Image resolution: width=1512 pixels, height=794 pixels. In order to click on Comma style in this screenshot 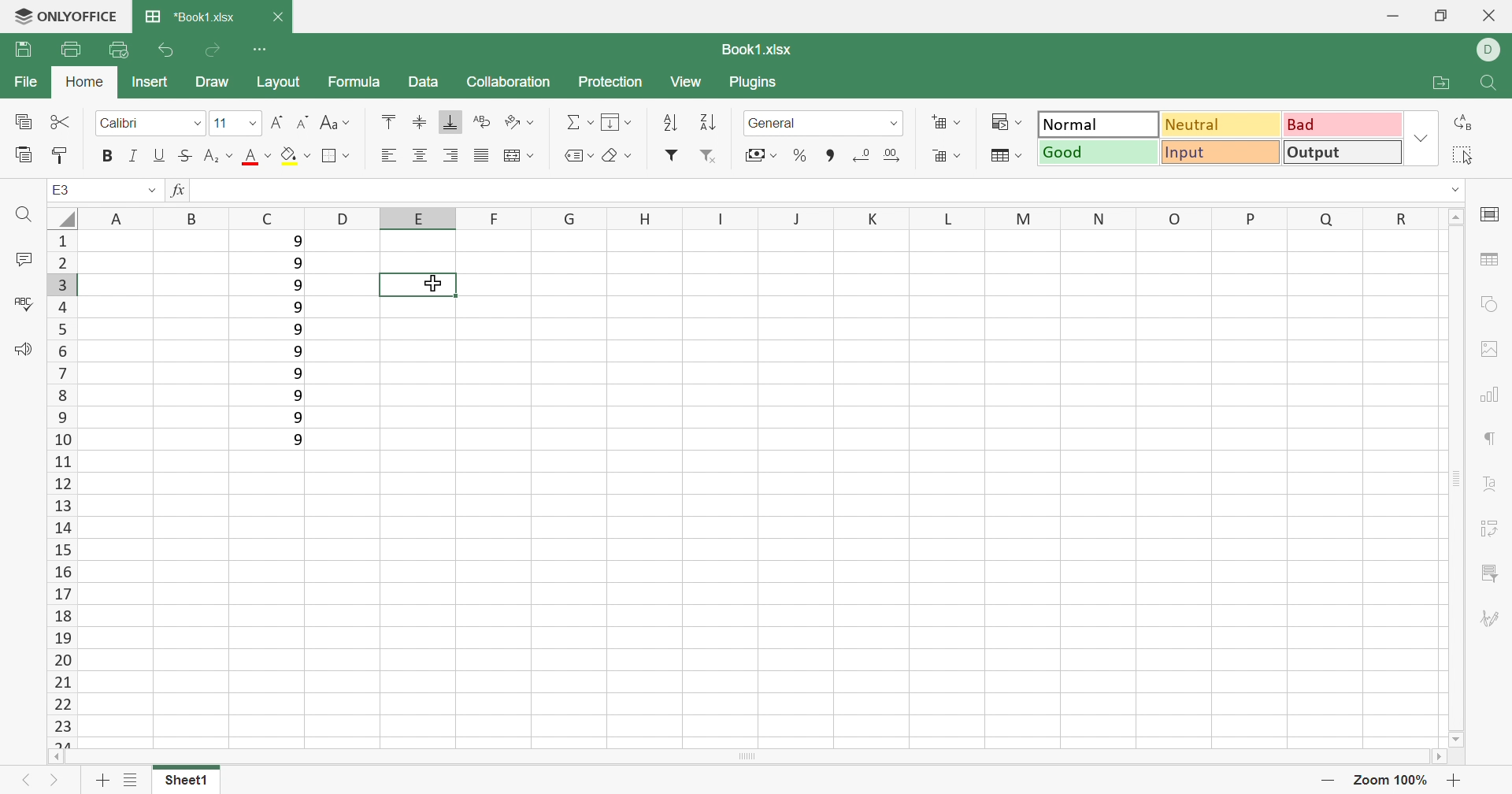, I will do `click(828, 154)`.